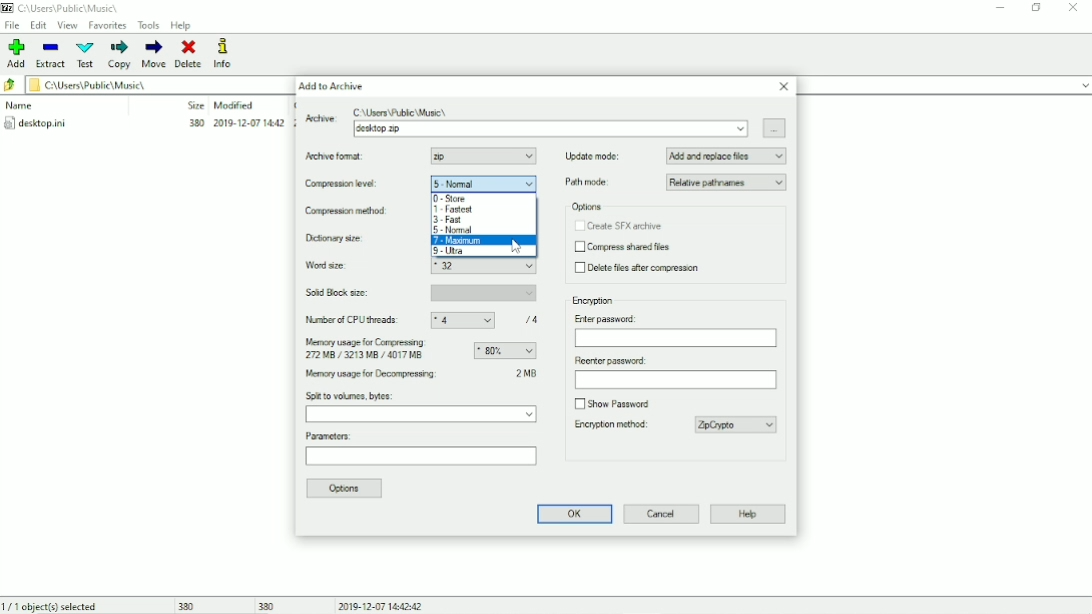 Image resolution: width=1092 pixels, height=614 pixels. Describe the element at coordinates (527, 120) in the screenshot. I see `Archive` at that location.